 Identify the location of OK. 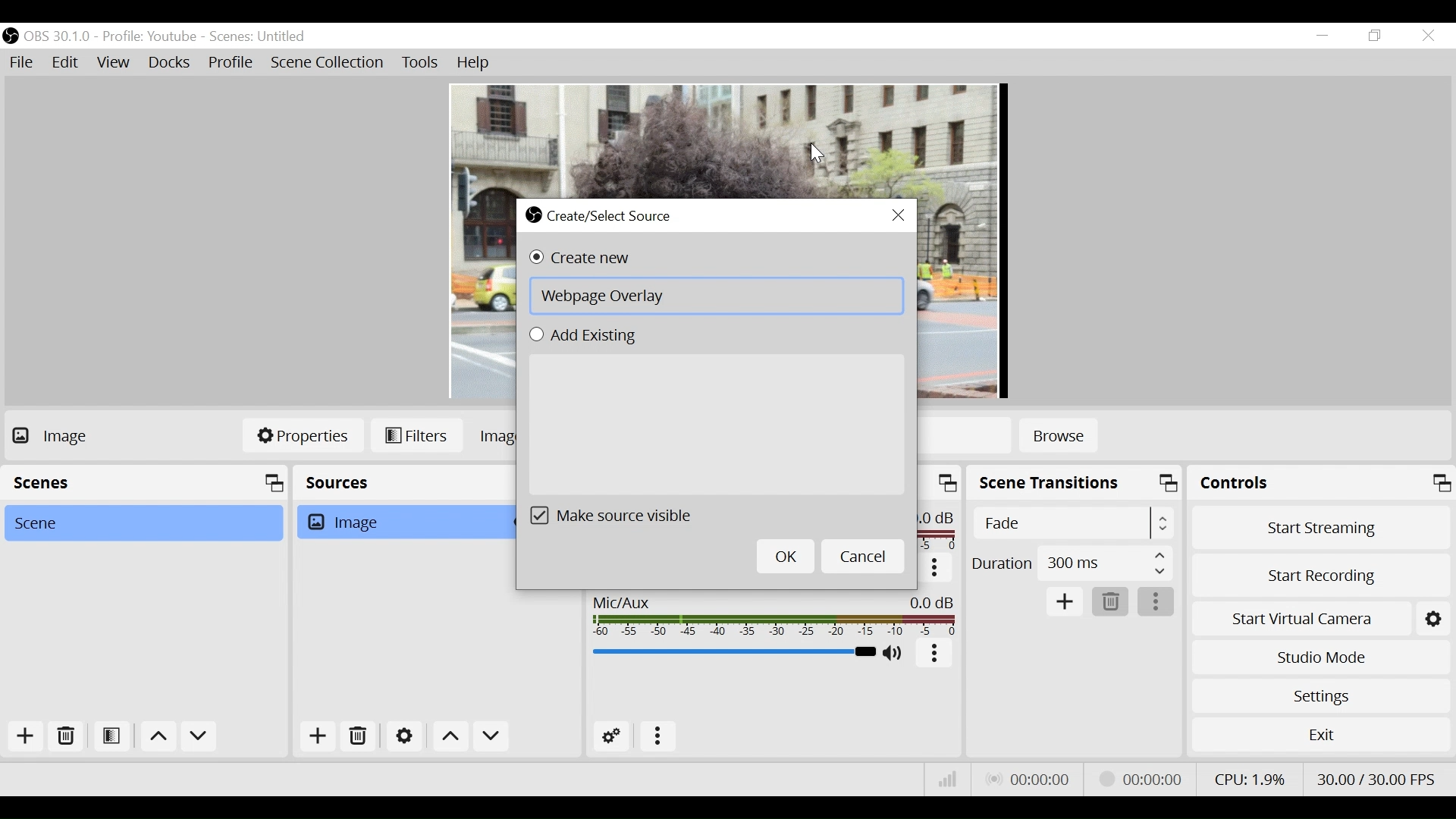
(786, 556).